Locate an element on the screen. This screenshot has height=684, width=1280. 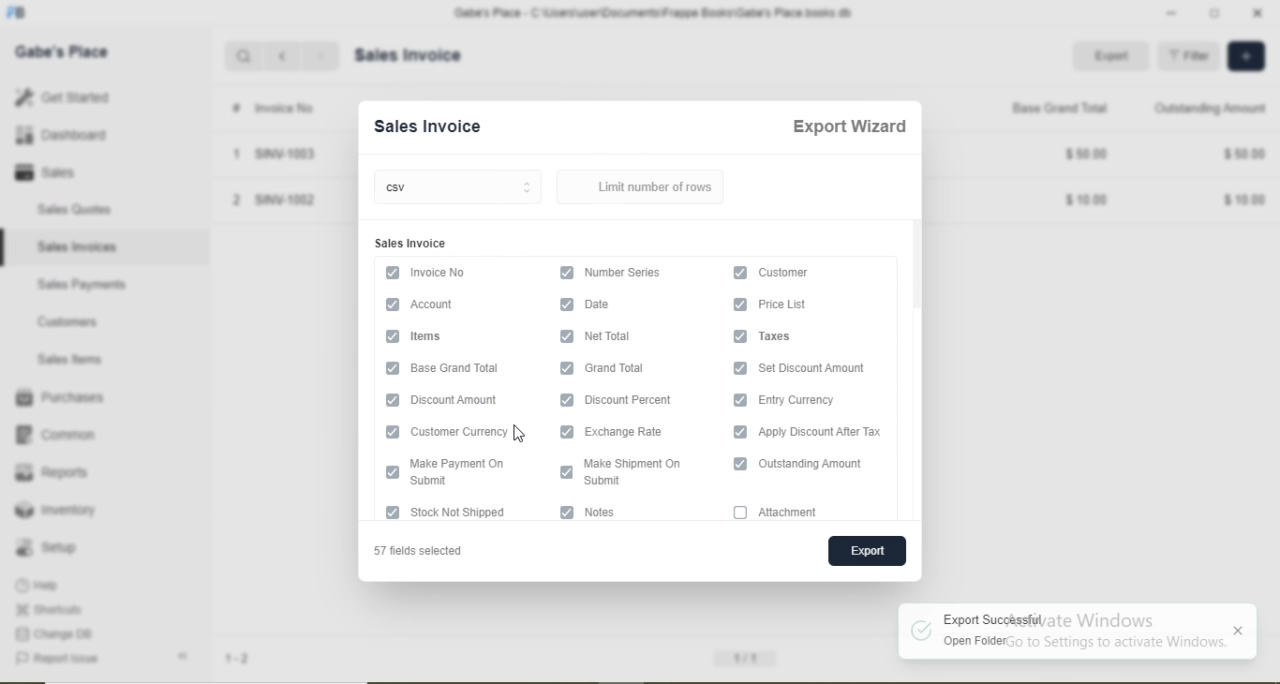
Customers is located at coordinates (69, 320).